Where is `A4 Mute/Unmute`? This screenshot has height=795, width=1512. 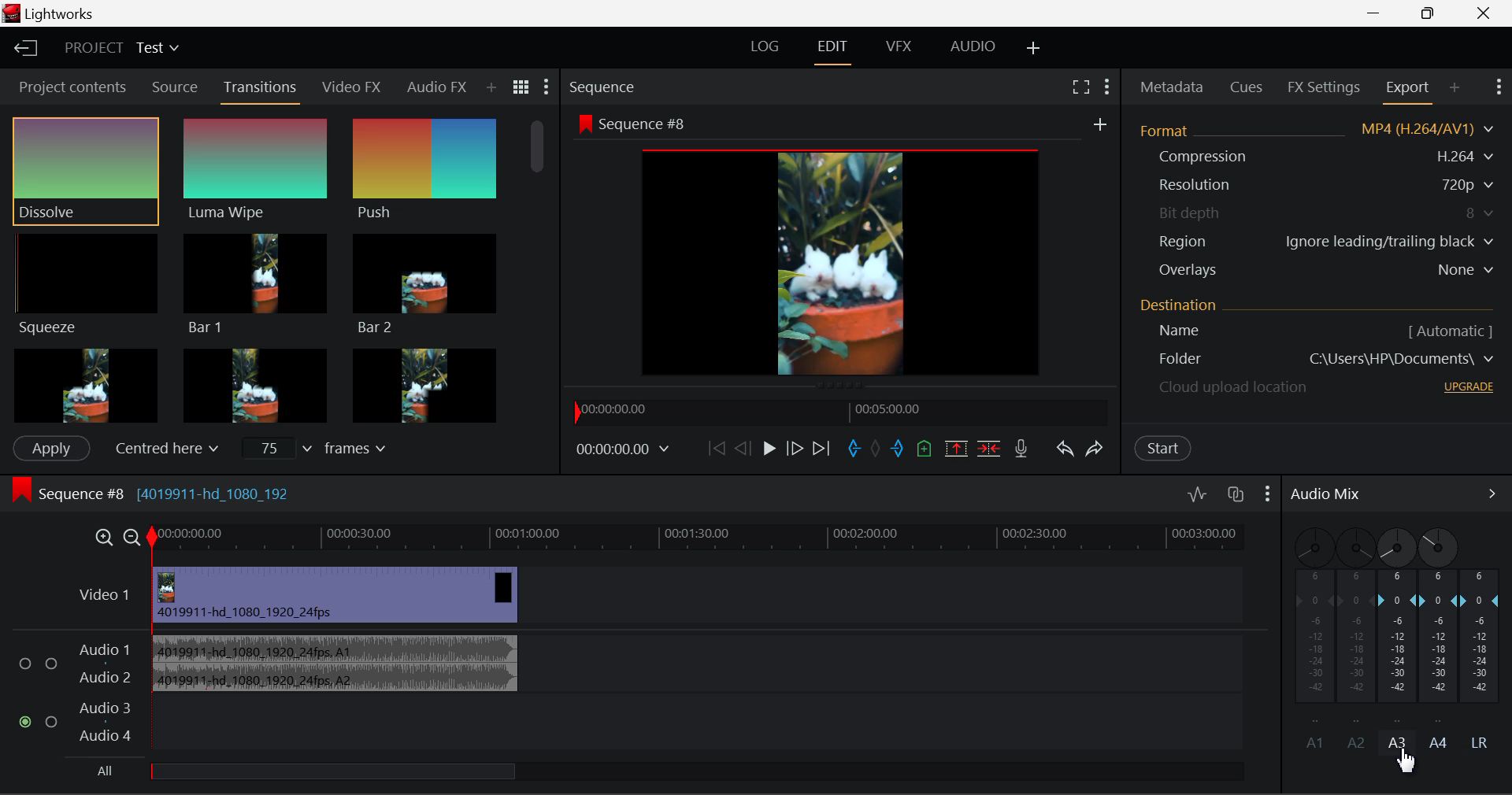
A4 Mute/Unmute is located at coordinates (1441, 743).